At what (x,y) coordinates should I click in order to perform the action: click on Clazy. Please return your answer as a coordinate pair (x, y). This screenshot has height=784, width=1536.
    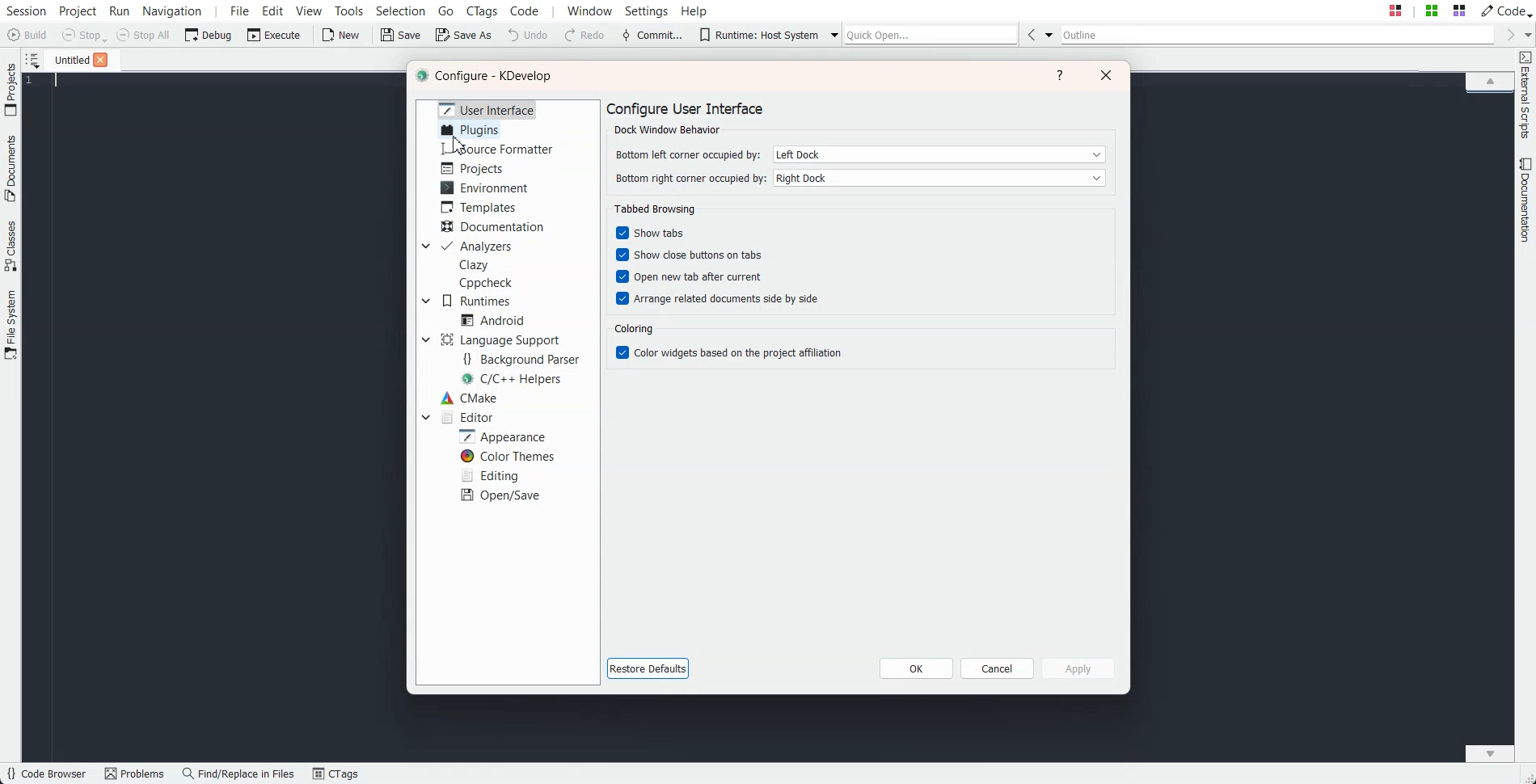
    Looking at the image, I should click on (475, 265).